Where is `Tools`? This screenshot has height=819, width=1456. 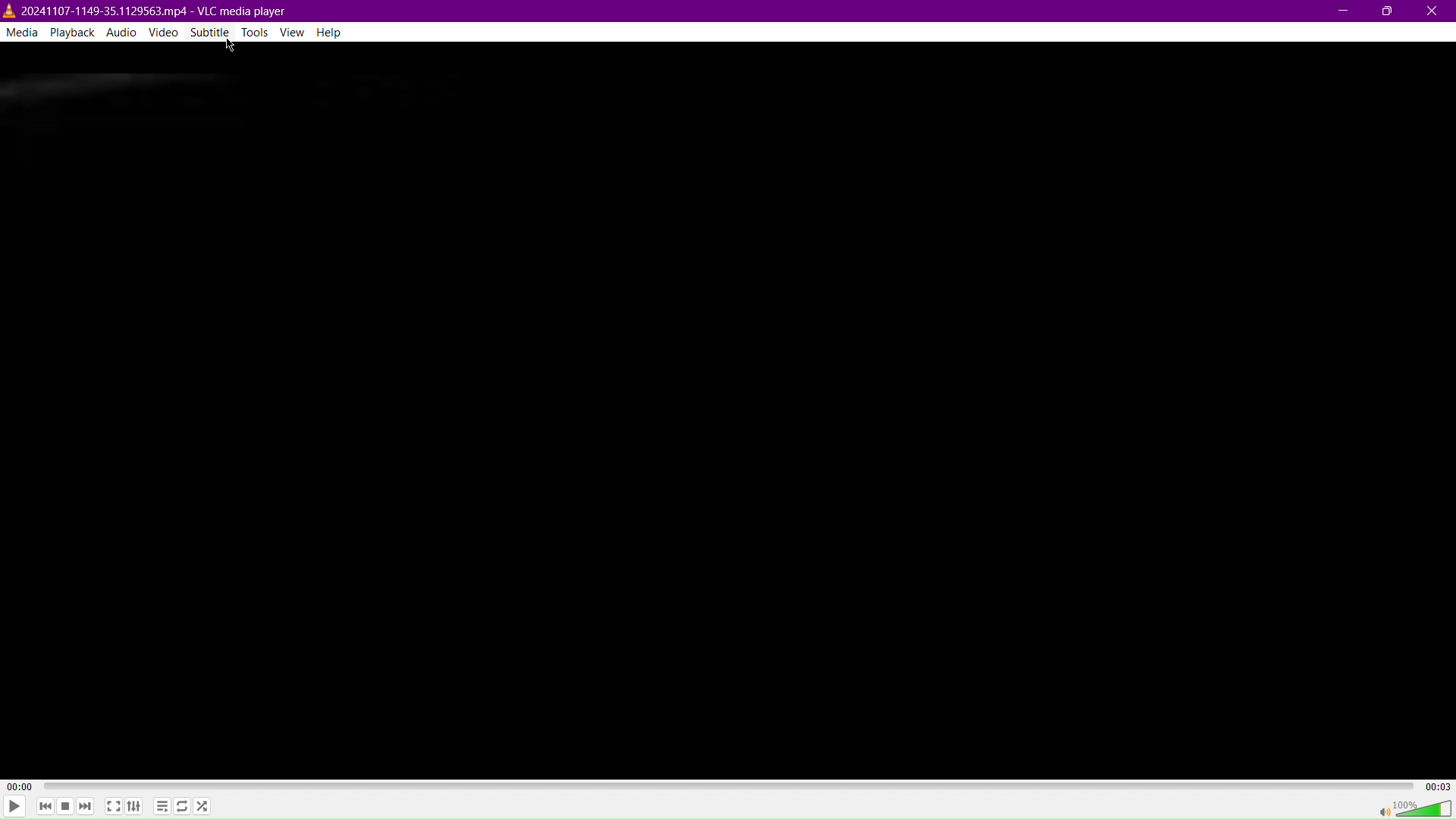
Tools is located at coordinates (256, 33).